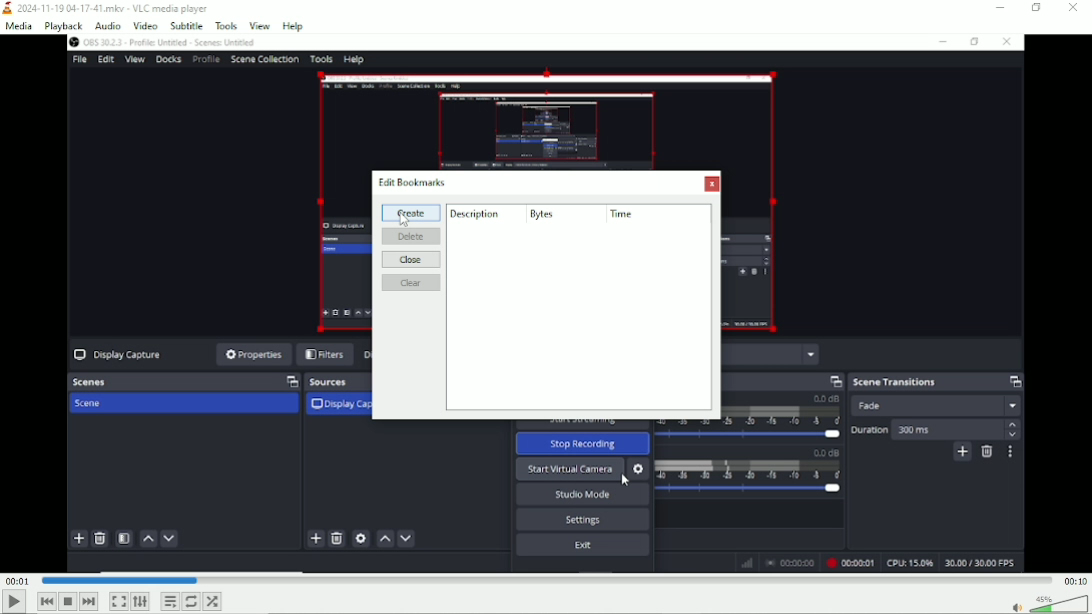  Describe the element at coordinates (213, 601) in the screenshot. I see `random` at that location.